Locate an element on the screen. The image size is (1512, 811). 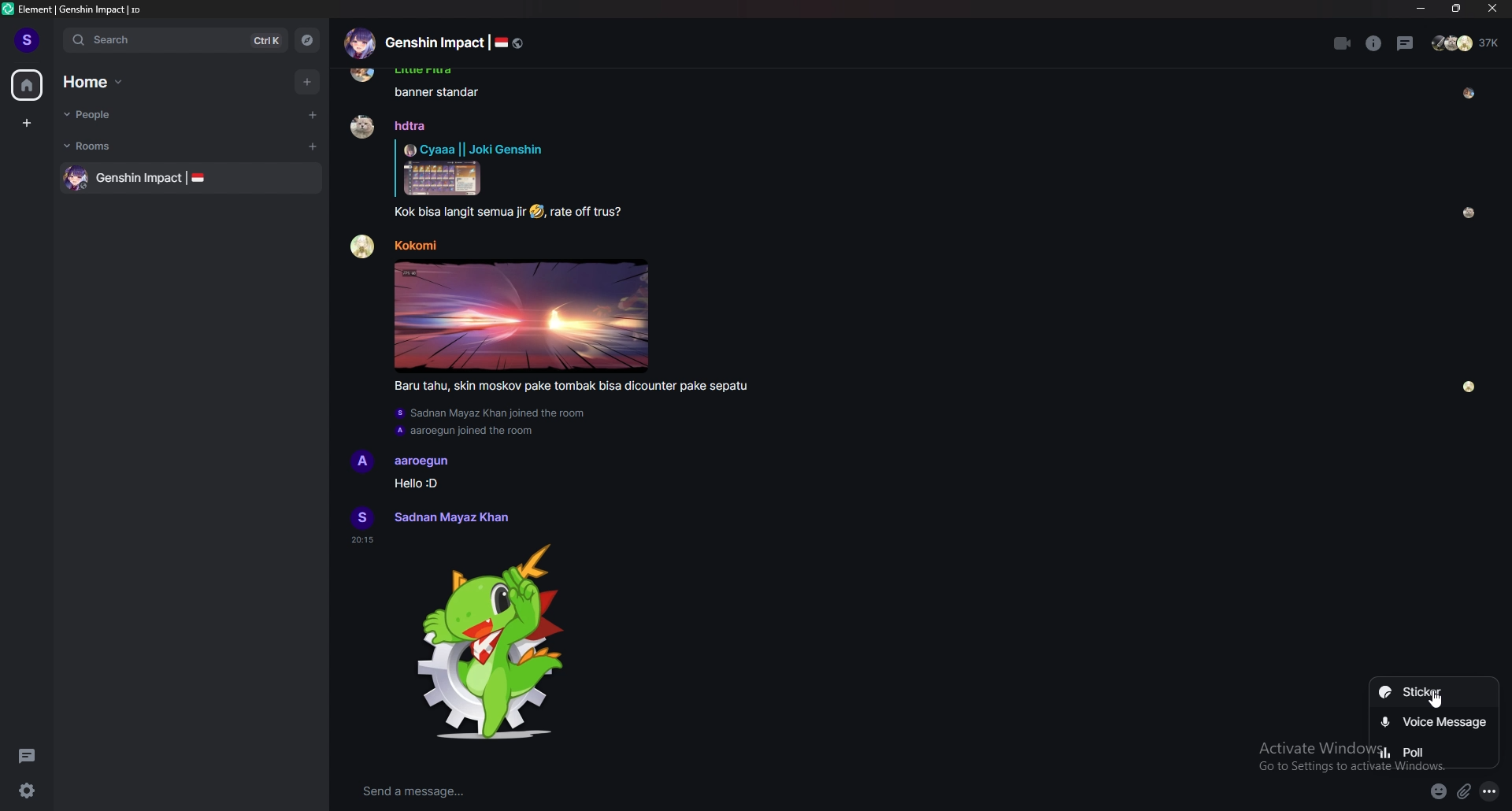
close is located at coordinates (1489, 9).